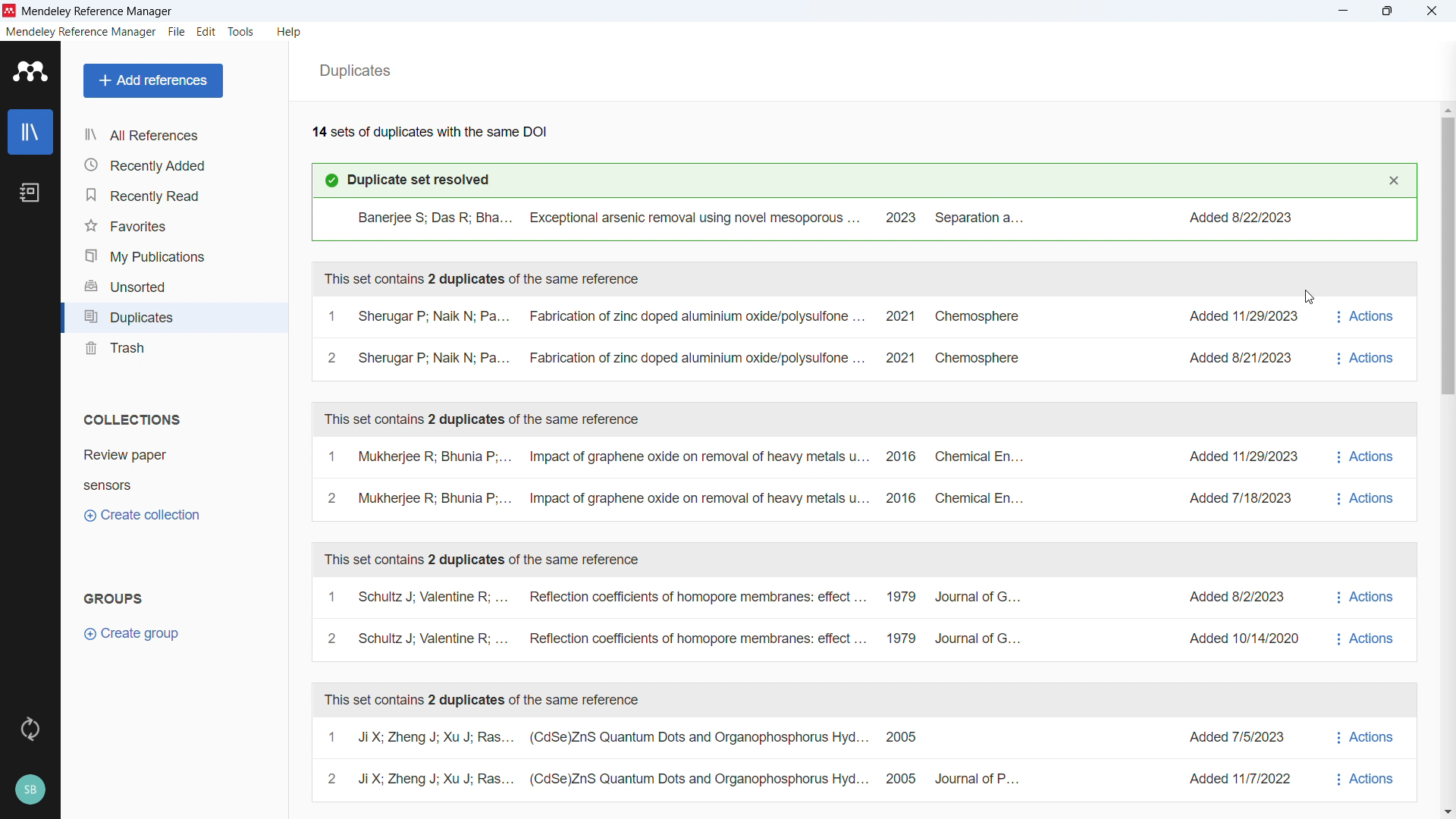 The image size is (1456, 819). I want to click on Favourites , so click(173, 224).